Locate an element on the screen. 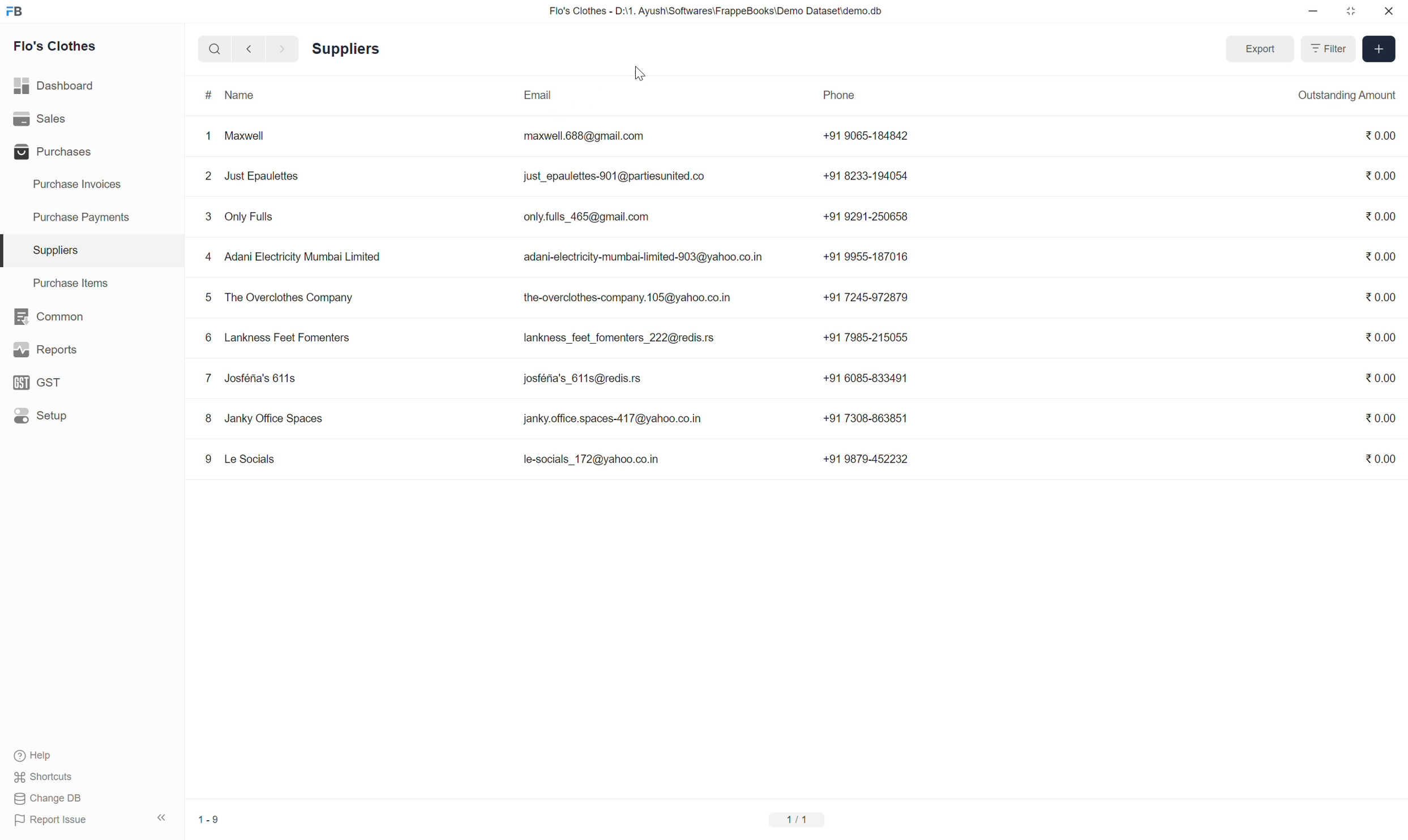  Purchase Payments is located at coordinates (82, 217).